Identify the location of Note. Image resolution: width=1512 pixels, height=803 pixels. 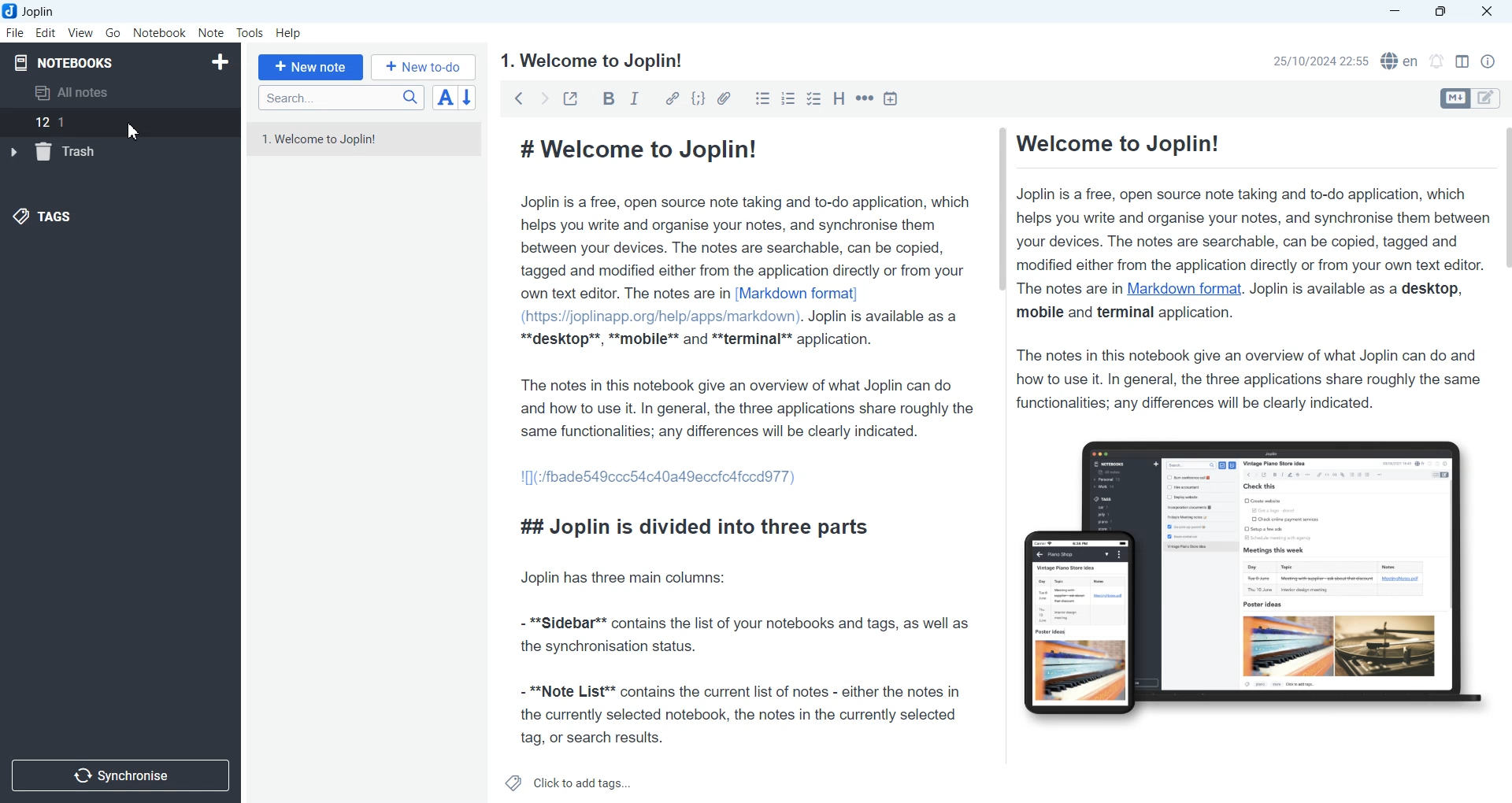
(210, 33).